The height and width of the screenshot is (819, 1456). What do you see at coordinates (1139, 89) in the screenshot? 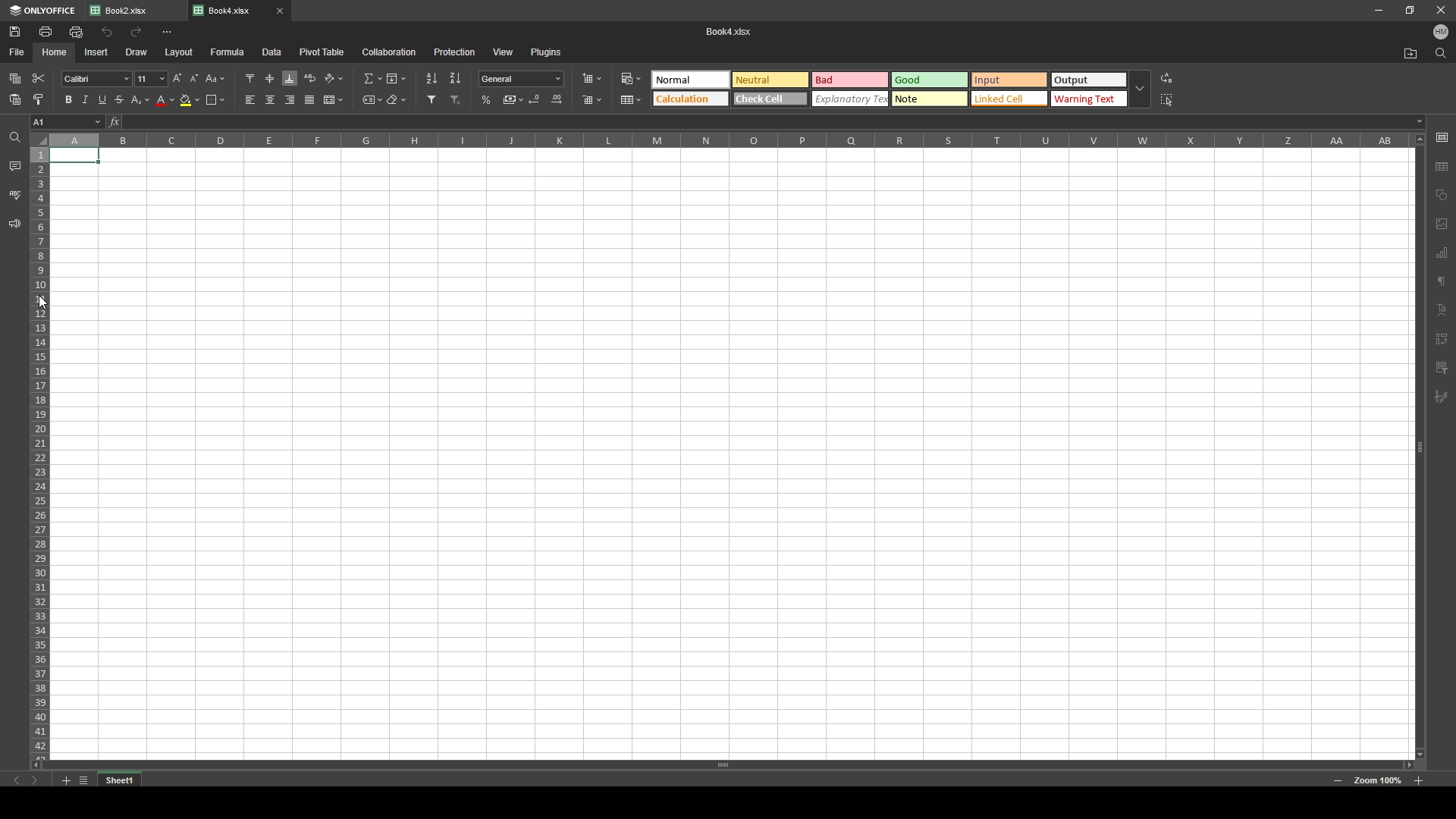
I see `show` at bounding box center [1139, 89].